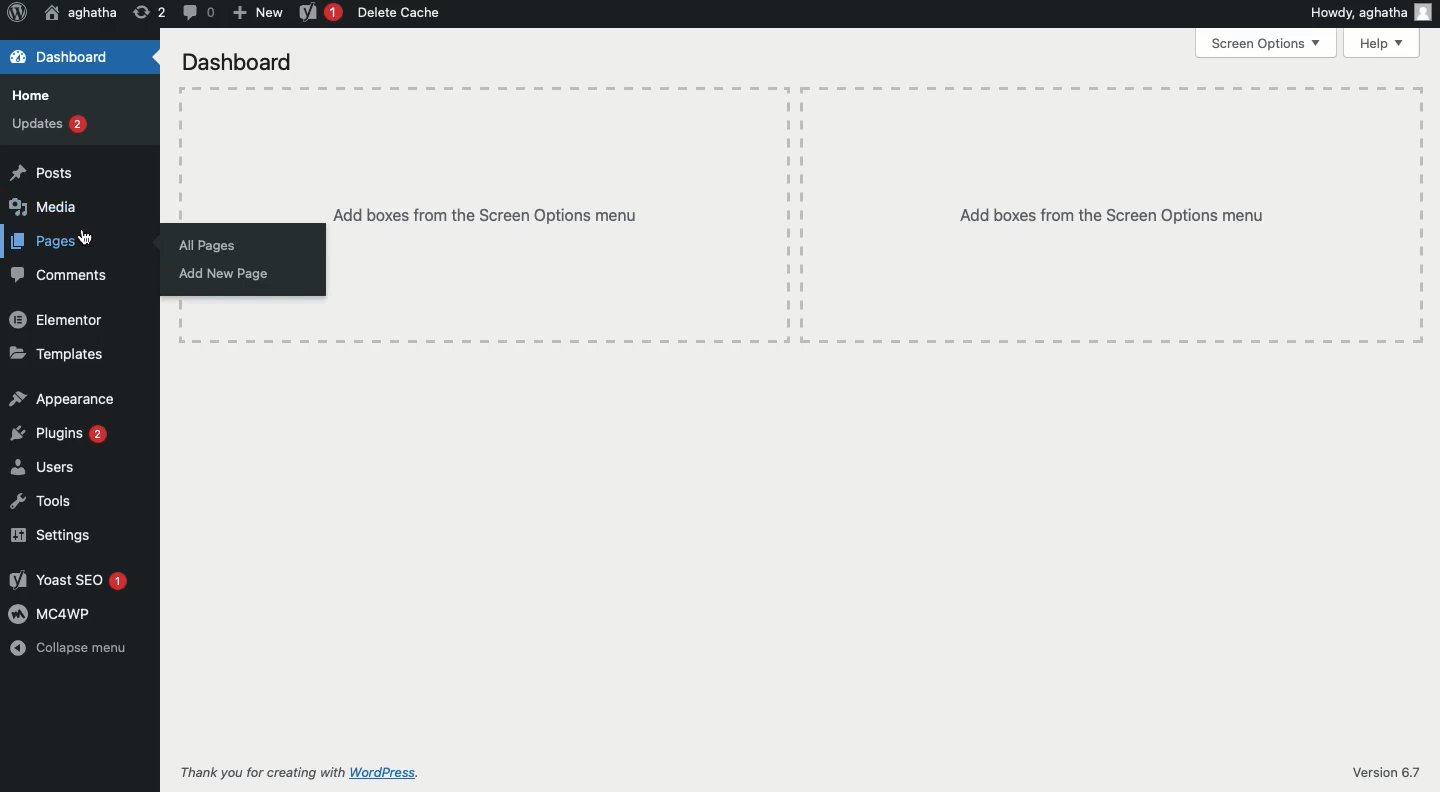 The height and width of the screenshot is (792, 1440). What do you see at coordinates (48, 240) in the screenshot?
I see `Pages` at bounding box center [48, 240].